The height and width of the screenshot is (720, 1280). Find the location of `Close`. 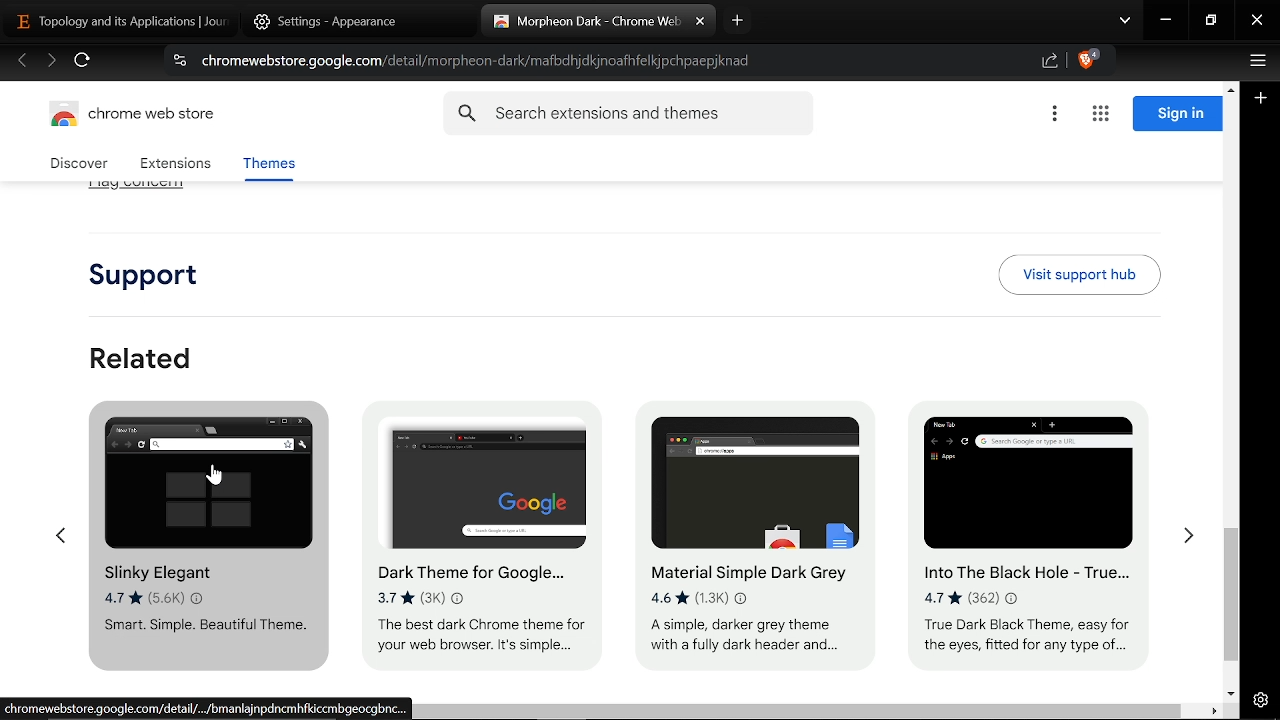

Close is located at coordinates (1257, 22).